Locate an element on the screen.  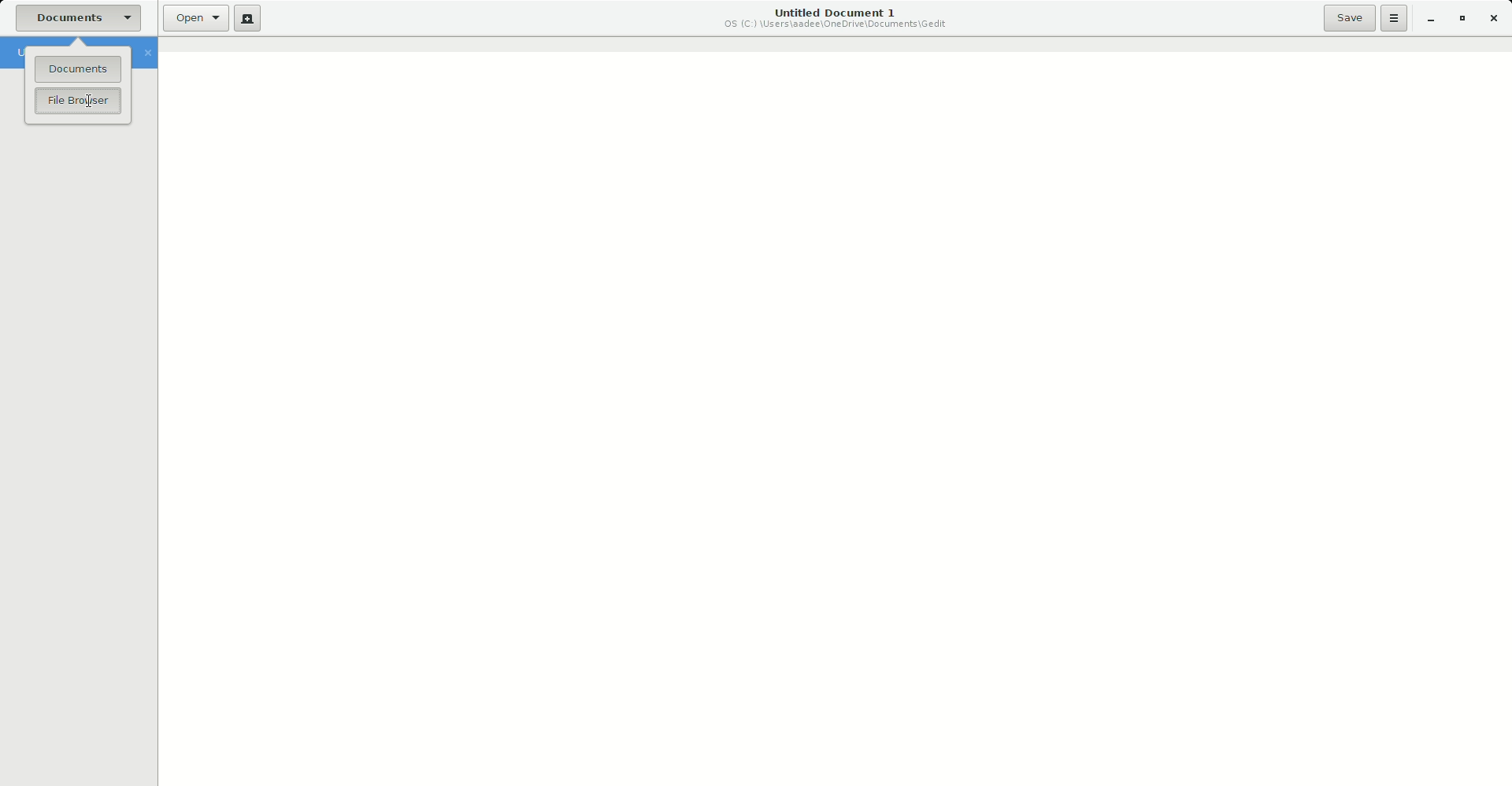
Close is located at coordinates (1492, 17).